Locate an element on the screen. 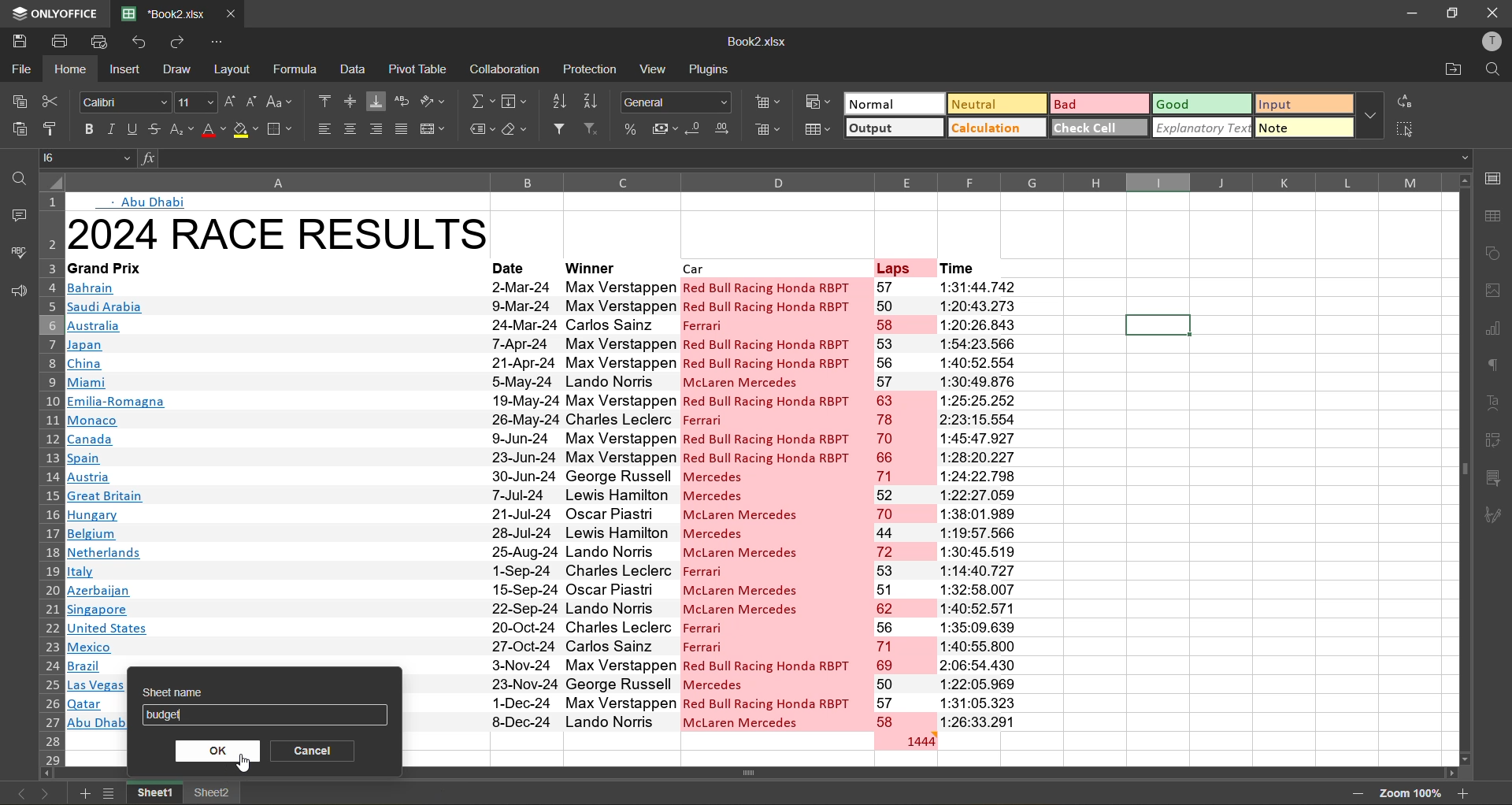 The width and height of the screenshot is (1512, 805). fields is located at coordinates (518, 100).